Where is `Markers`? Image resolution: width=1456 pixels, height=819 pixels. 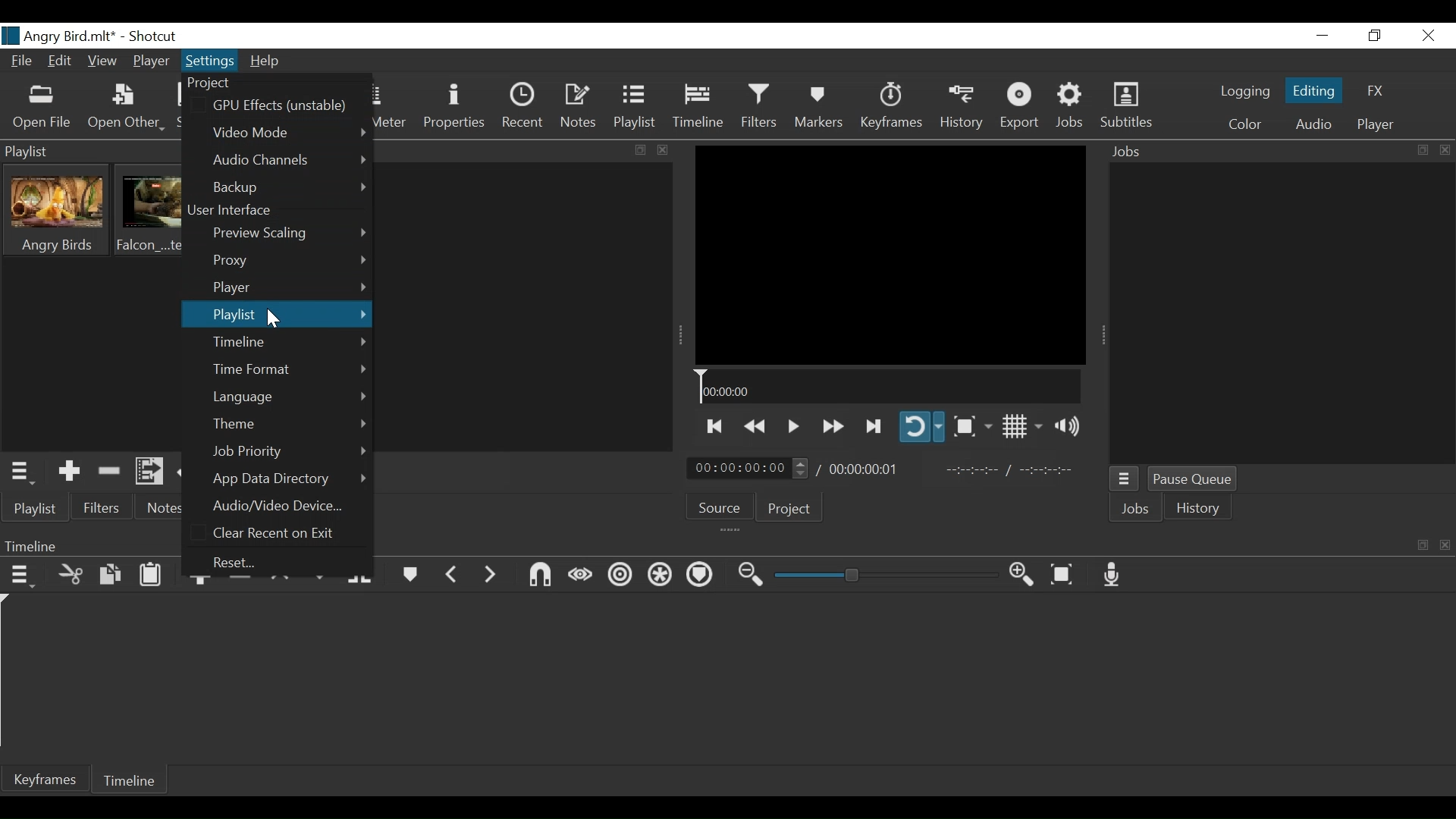
Markers is located at coordinates (820, 108).